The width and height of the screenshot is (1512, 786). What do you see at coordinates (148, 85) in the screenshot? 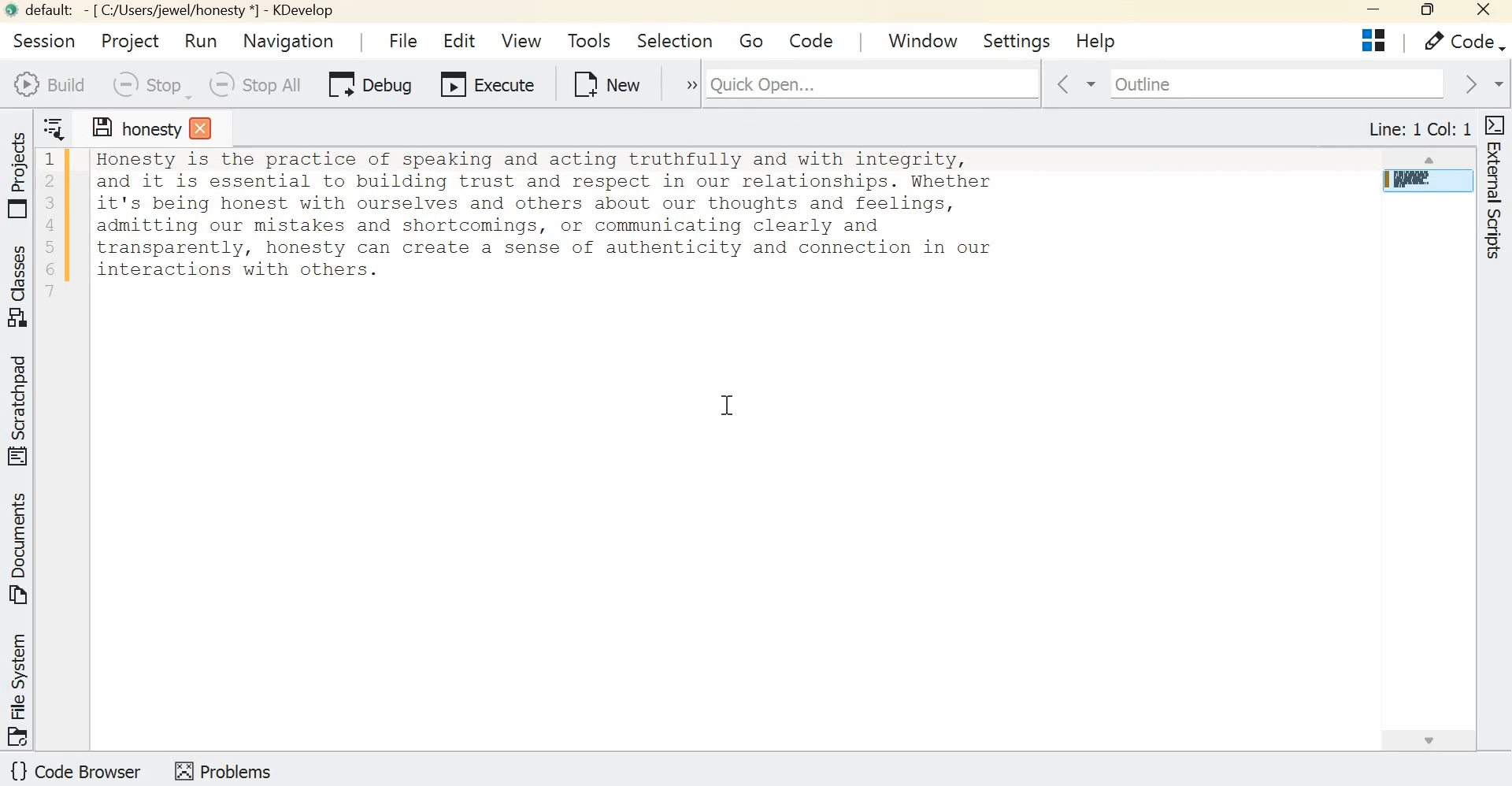
I see `Menu allowing to Stop all individual jobs` at bounding box center [148, 85].